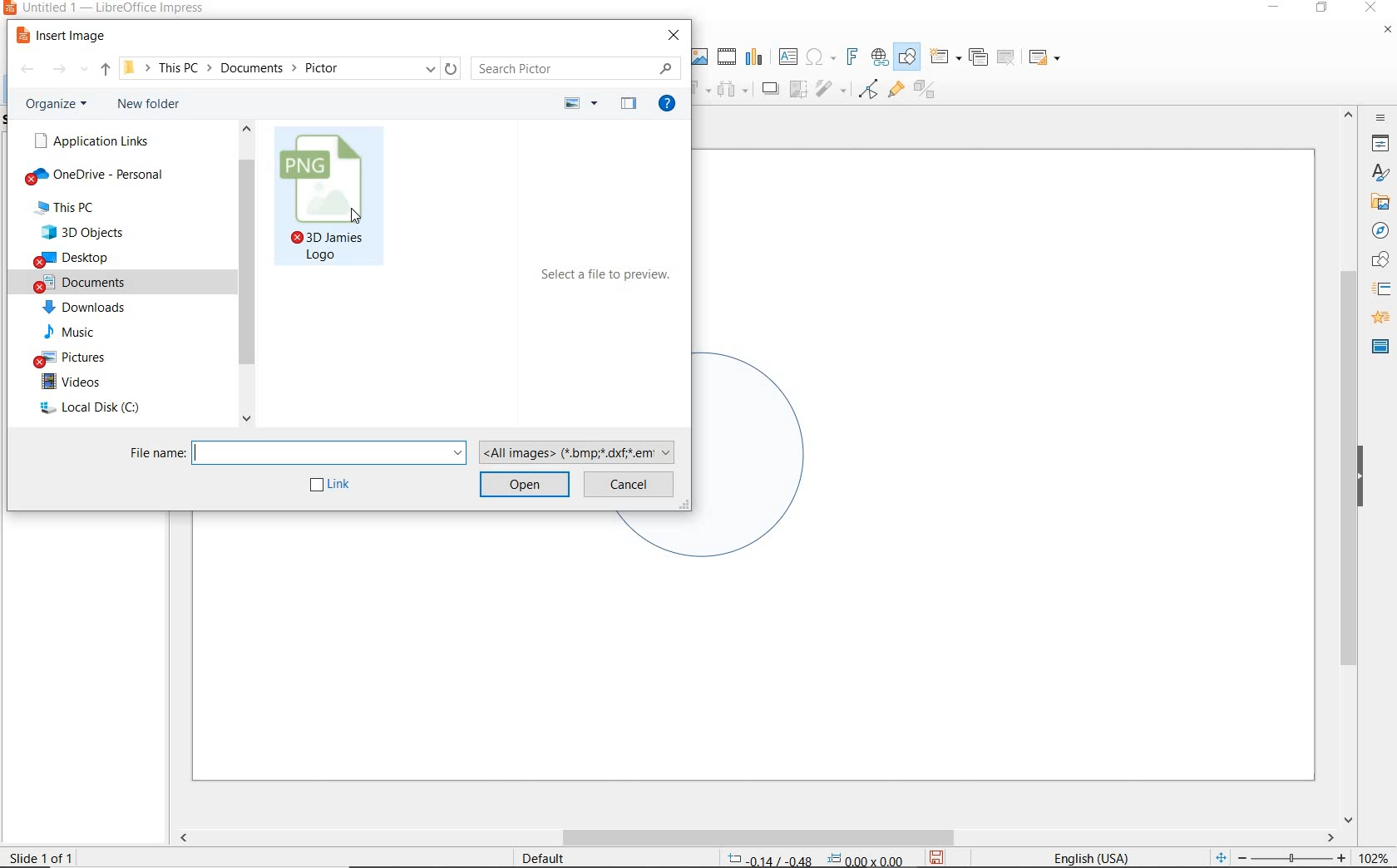  What do you see at coordinates (60, 104) in the screenshot?
I see `organize` at bounding box center [60, 104].